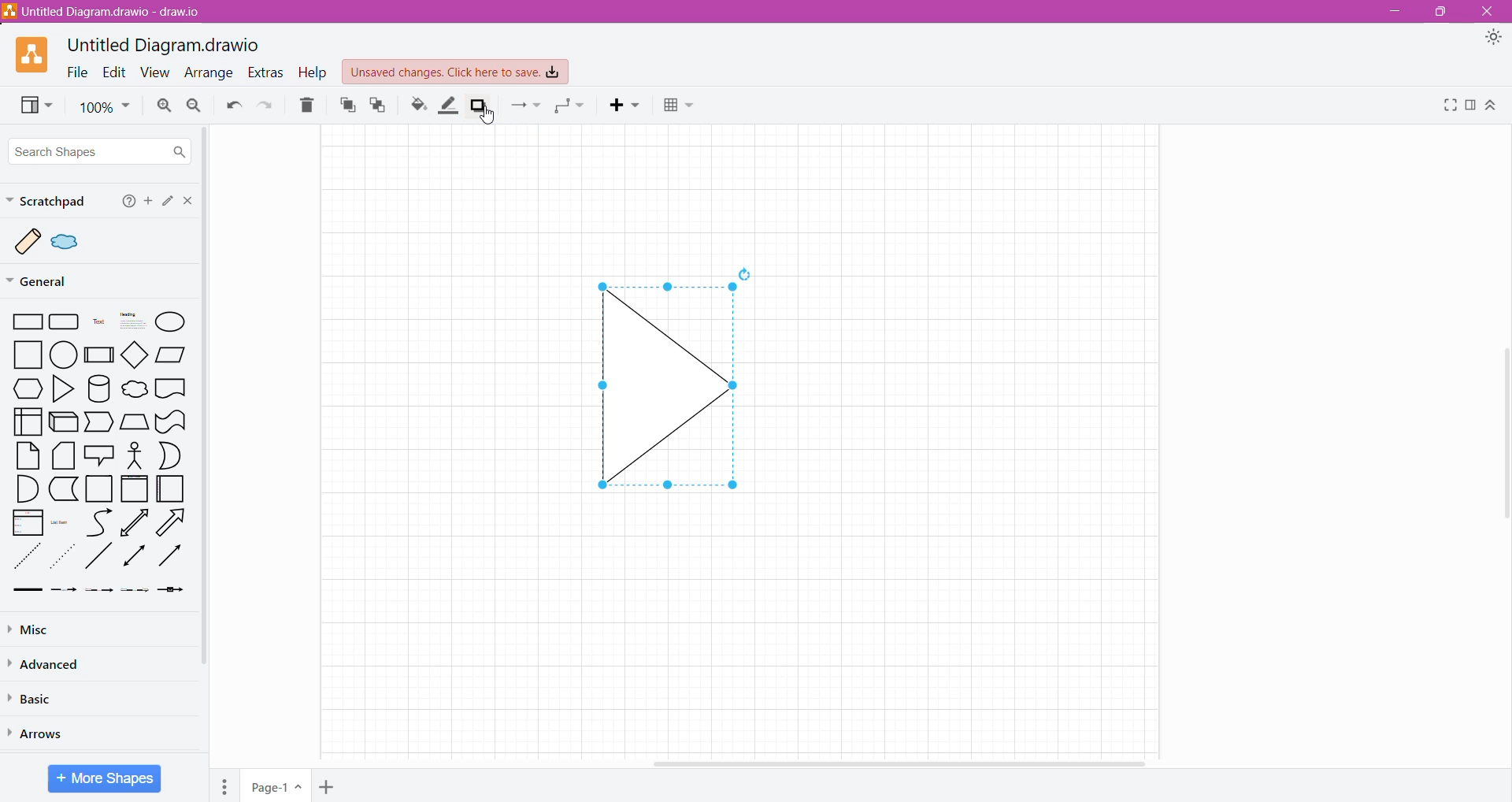 Image resolution: width=1512 pixels, height=802 pixels. What do you see at coordinates (346, 105) in the screenshot?
I see `To Front` at bounding box center [346, 105].